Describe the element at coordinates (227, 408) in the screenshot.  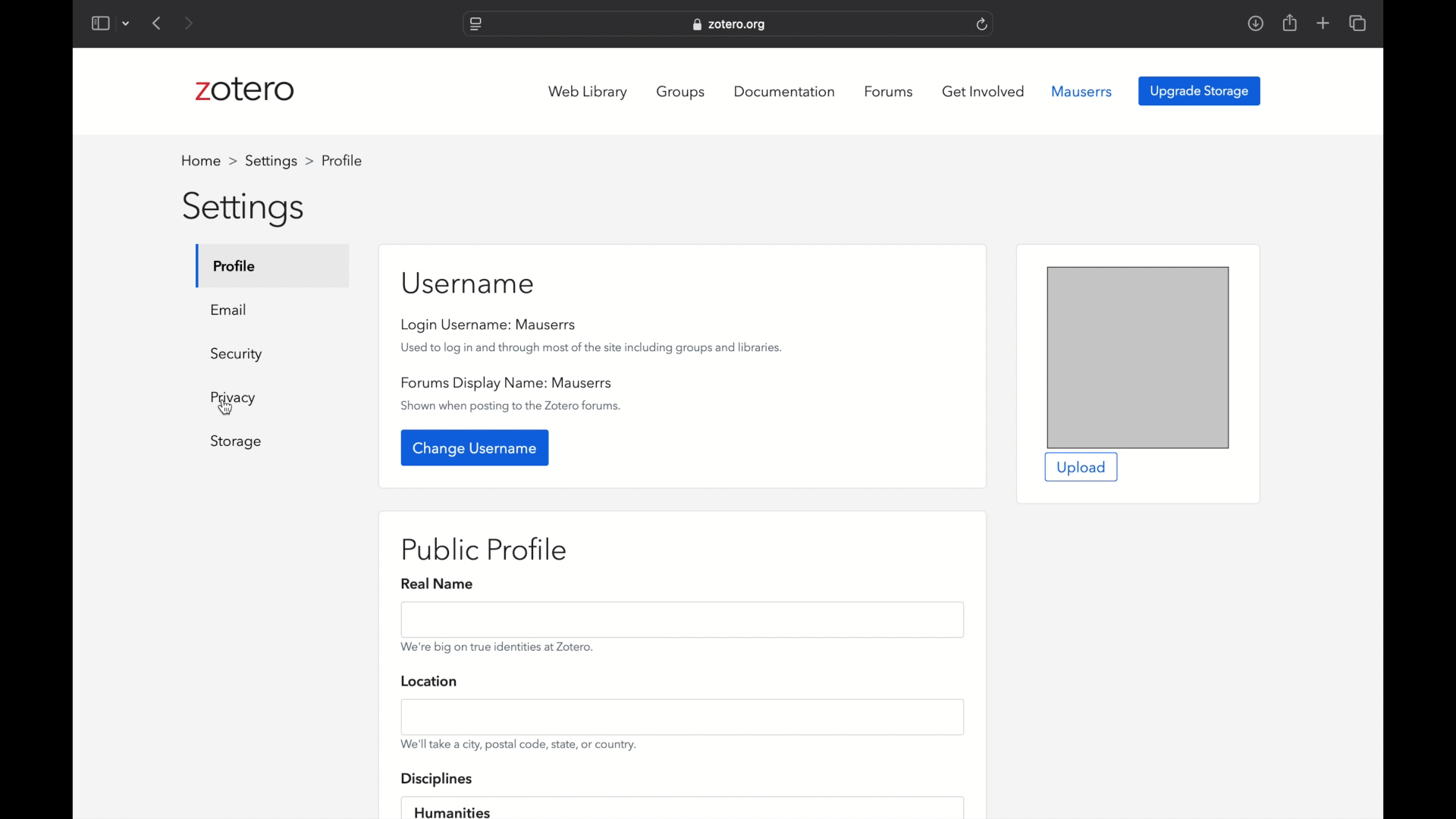
I see `cursor` at that location.